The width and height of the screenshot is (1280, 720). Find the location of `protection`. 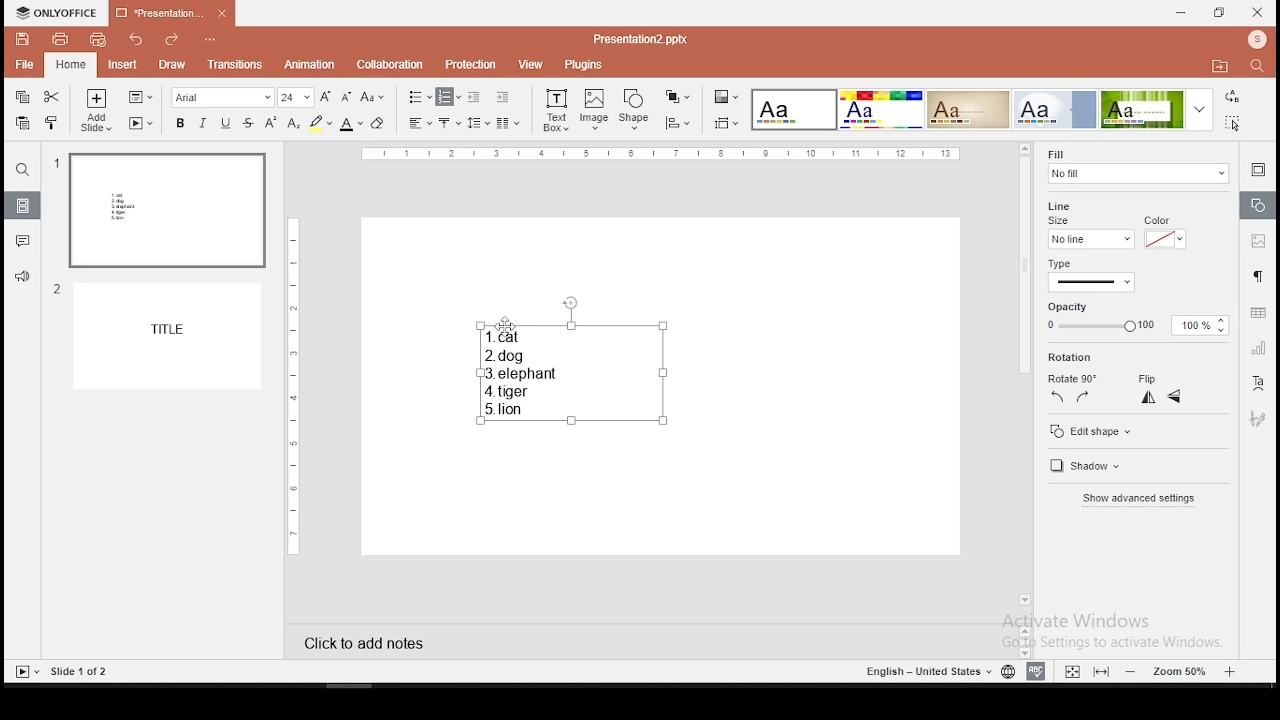

protection is located at coordinates (472, 63).